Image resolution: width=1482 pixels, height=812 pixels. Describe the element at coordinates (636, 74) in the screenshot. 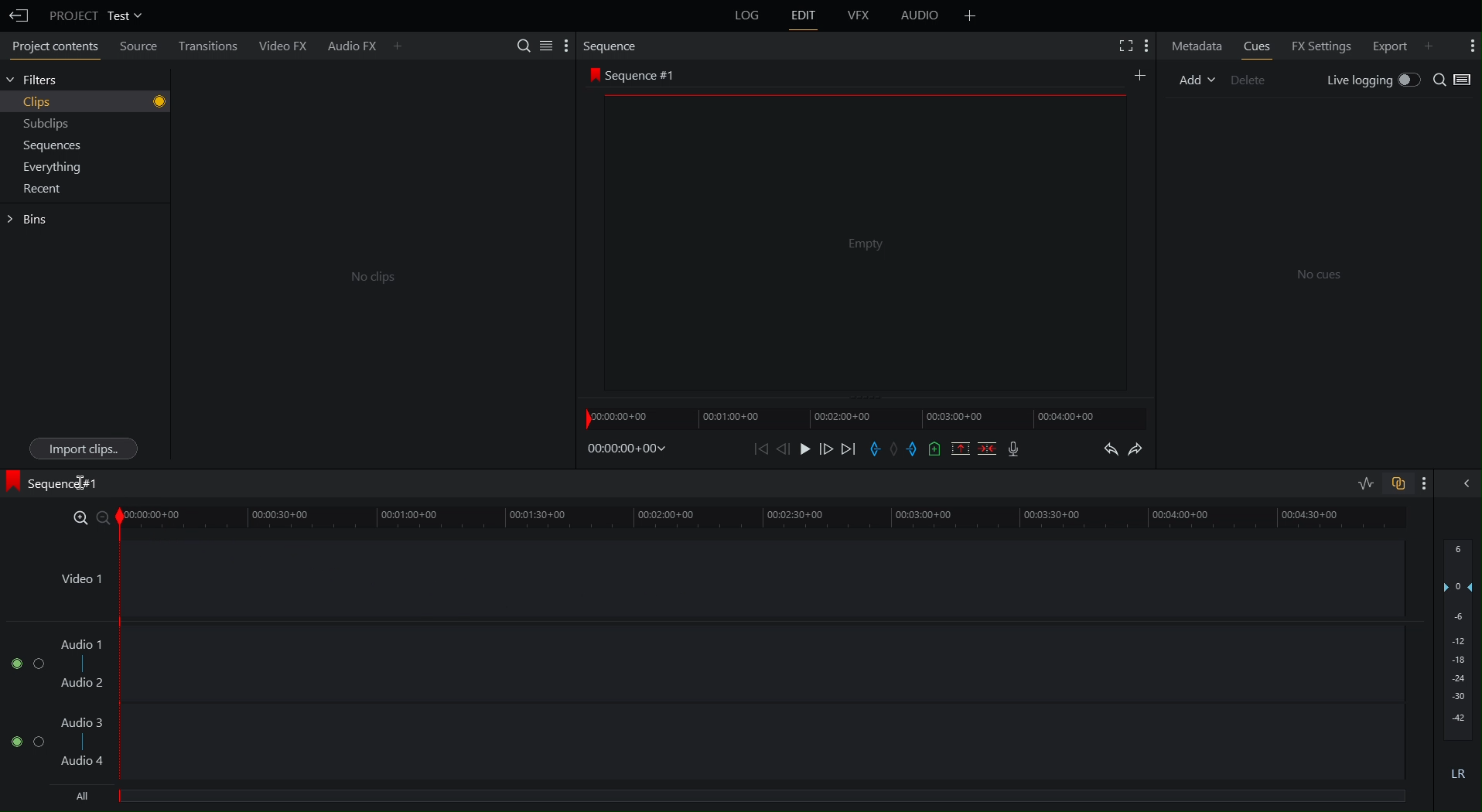

I see `Sequence 1` at that location.